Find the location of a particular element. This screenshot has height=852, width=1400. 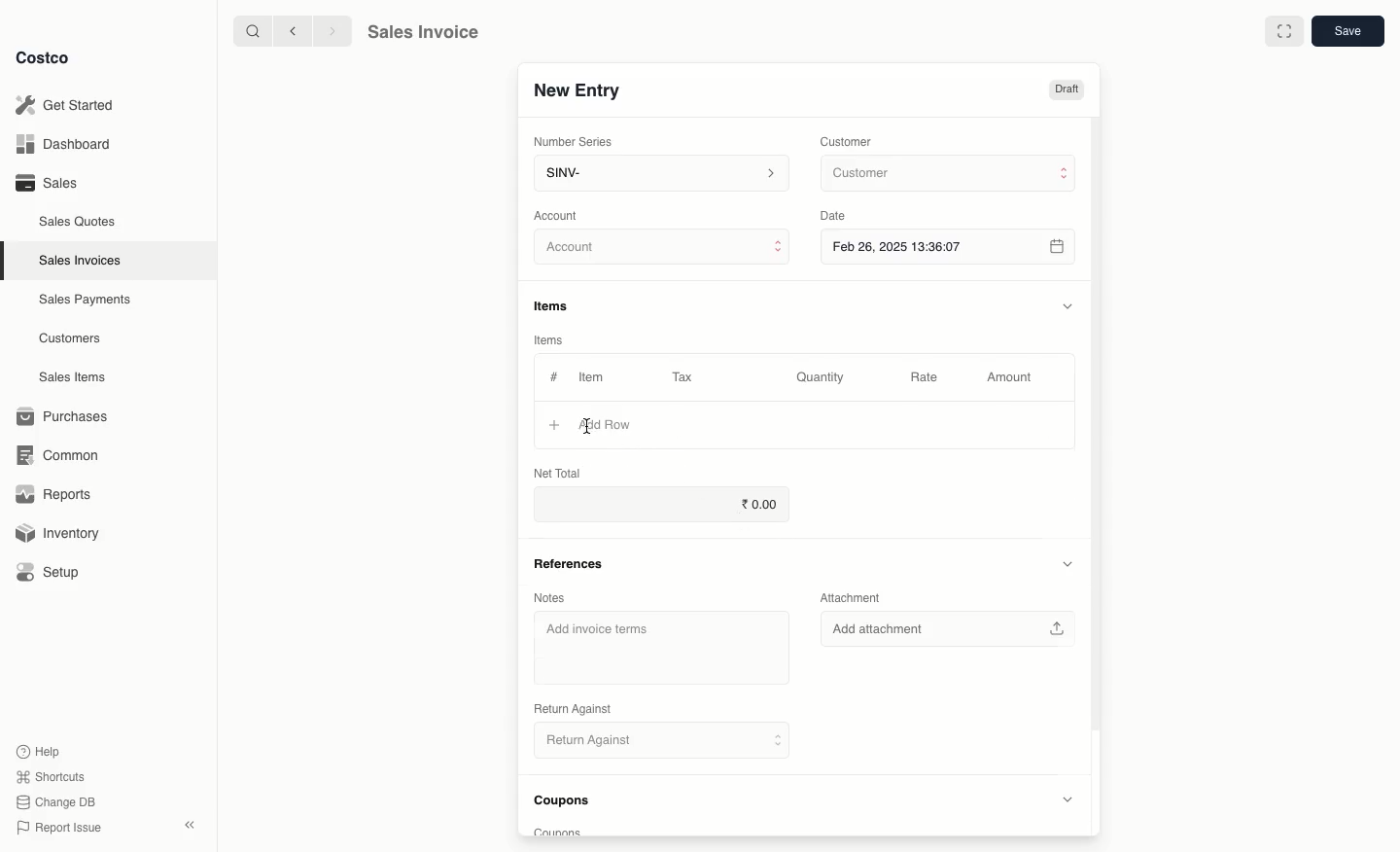

# is located at coordinates (554, 375).